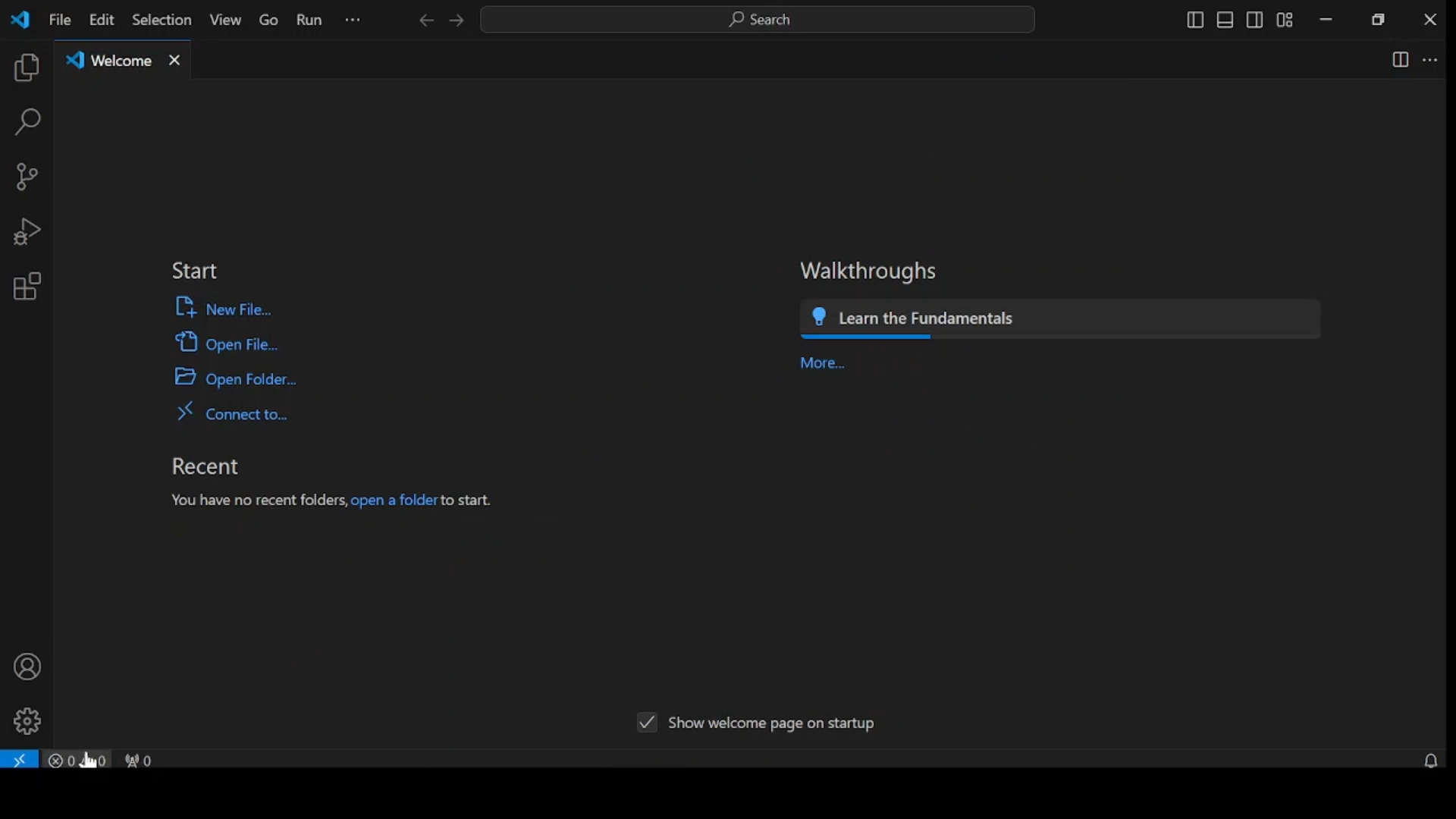  I want to click on search, so click(757, 20).